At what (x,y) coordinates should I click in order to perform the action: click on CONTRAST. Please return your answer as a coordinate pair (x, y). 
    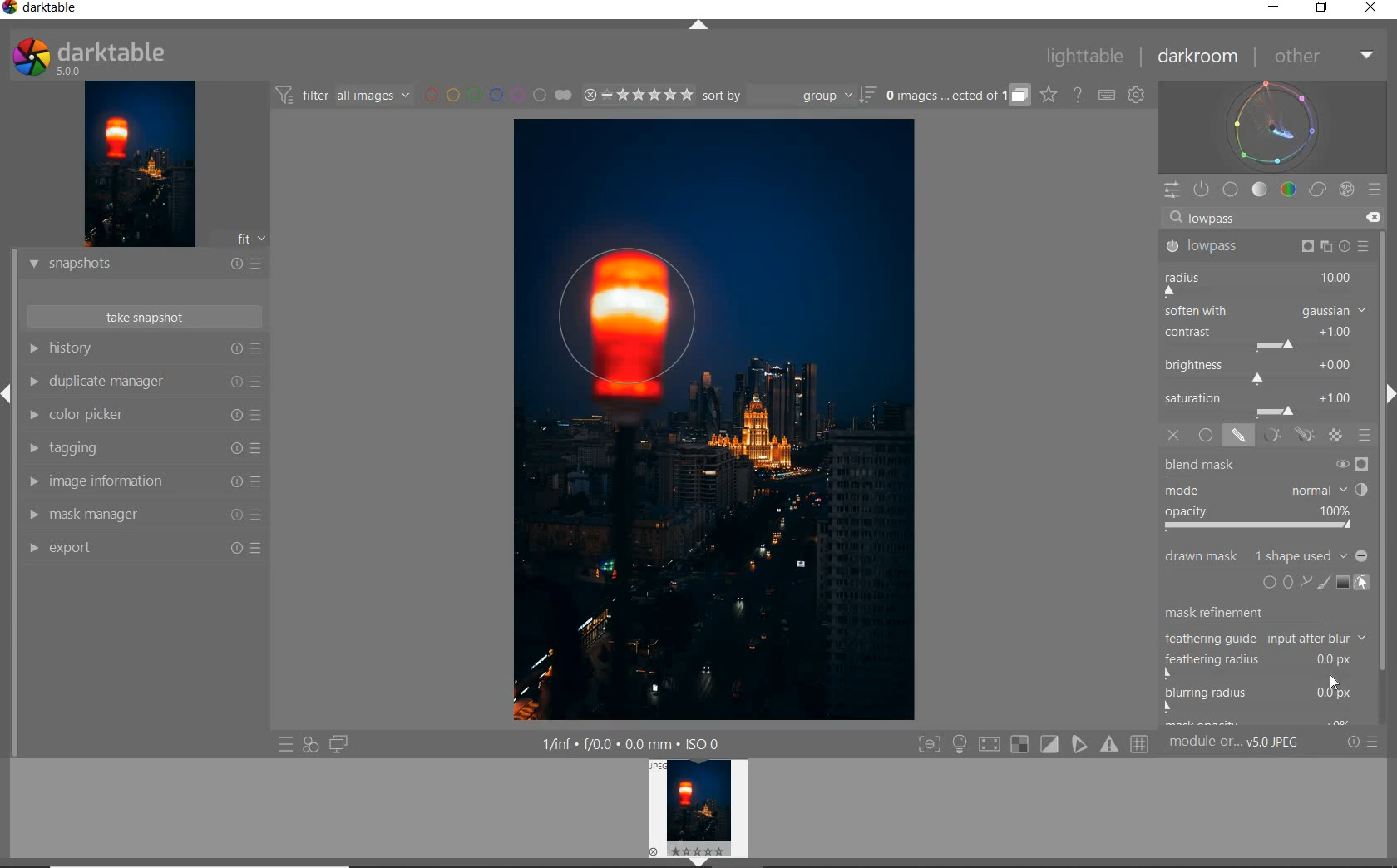
    Looking at the image, I should click on (1263, 339).